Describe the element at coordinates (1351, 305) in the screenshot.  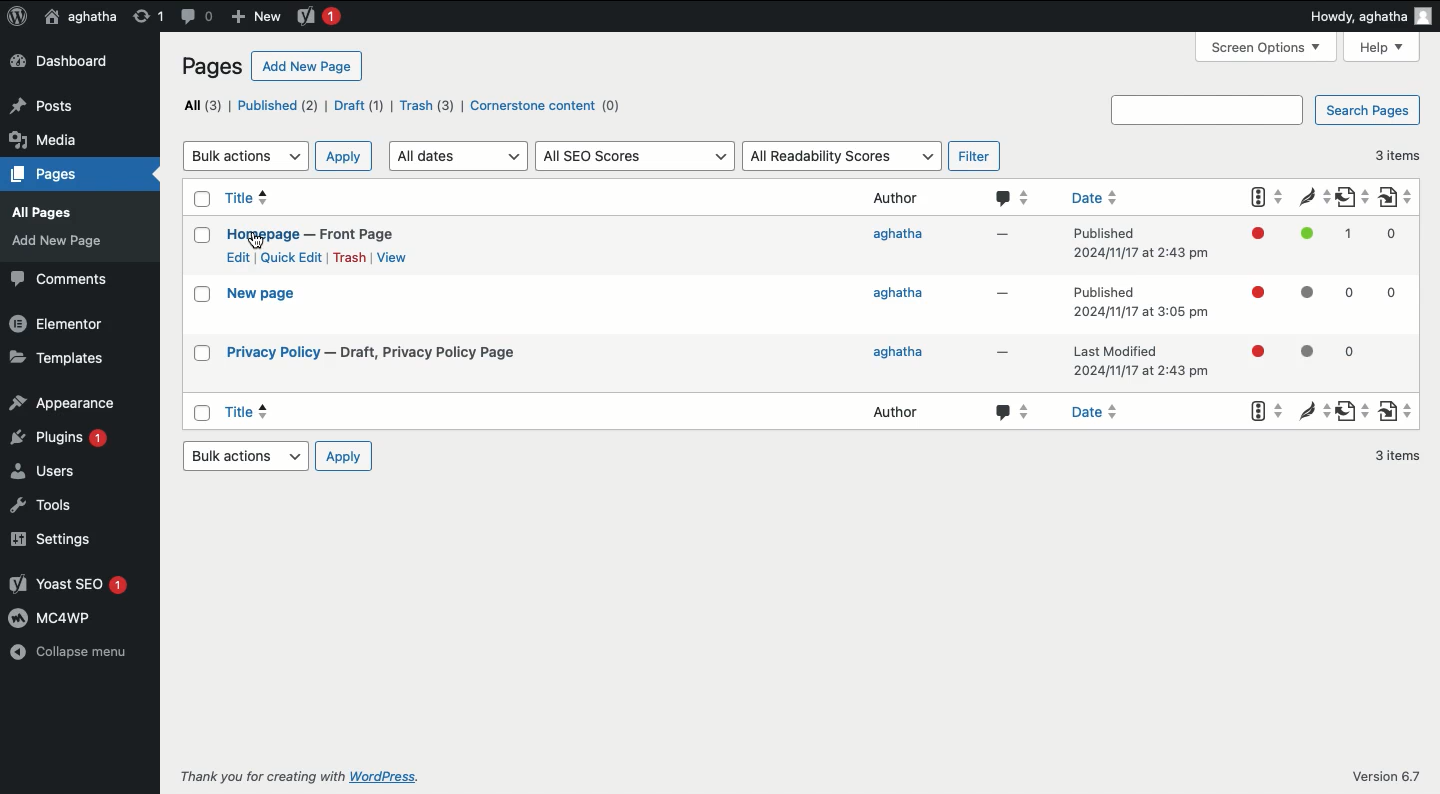
I see `Outgoing links` at that location.